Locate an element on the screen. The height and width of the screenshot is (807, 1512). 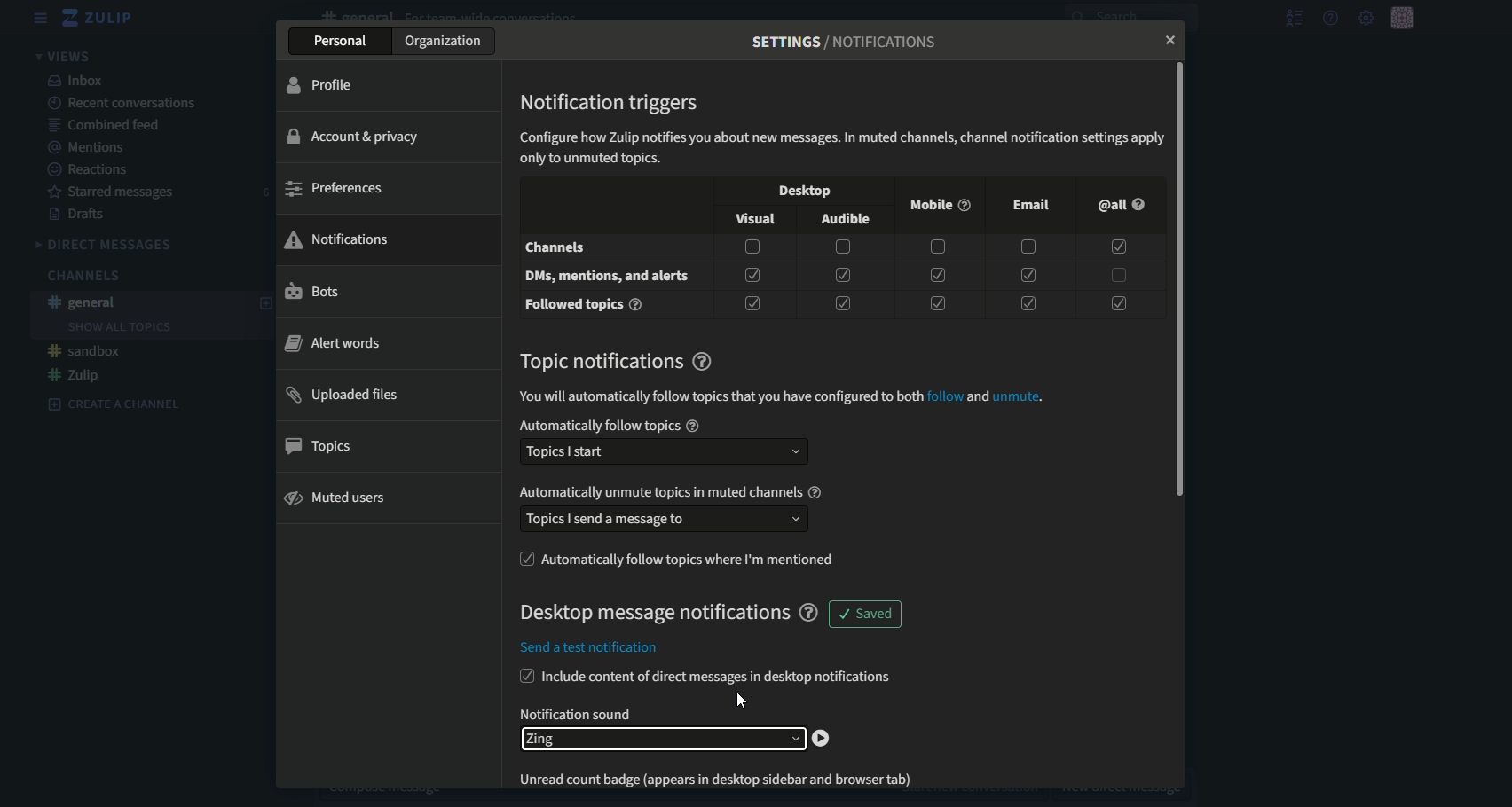
text is located at coordinates (586, 305).